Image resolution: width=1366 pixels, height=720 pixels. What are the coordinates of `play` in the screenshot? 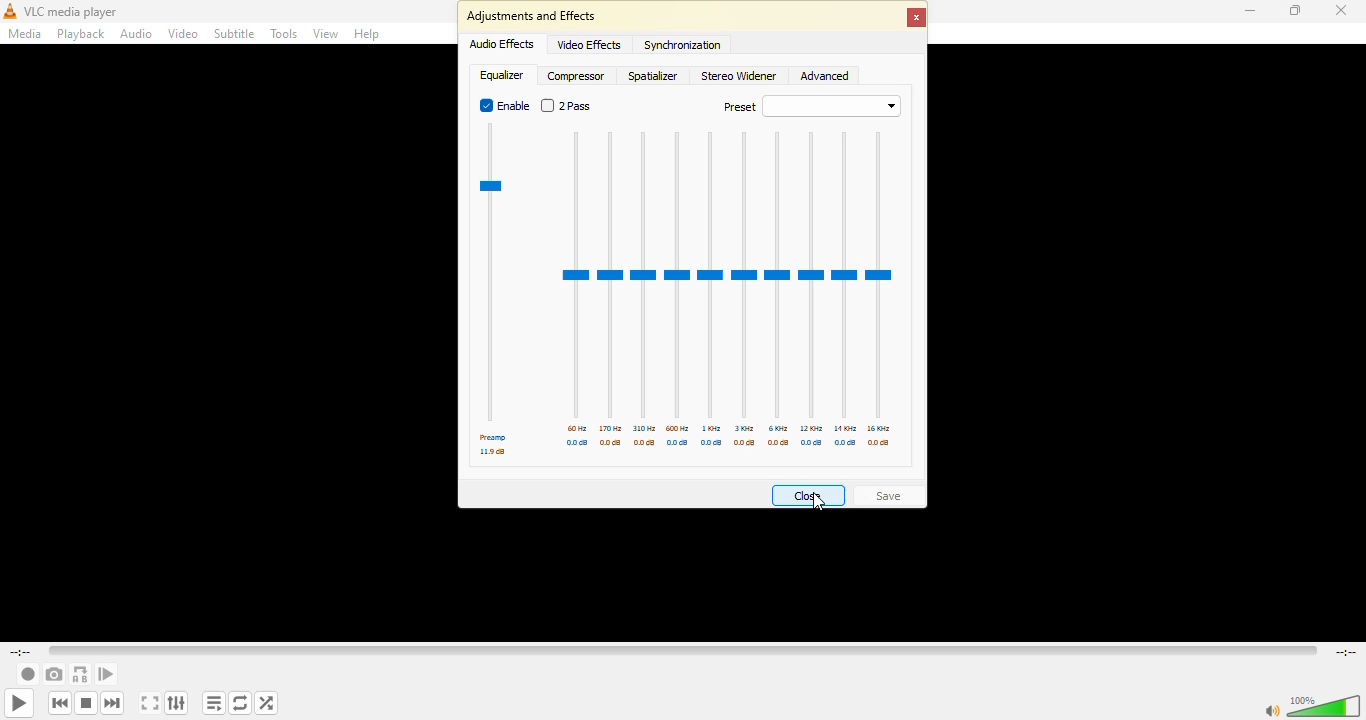 It's located at (19, 704).